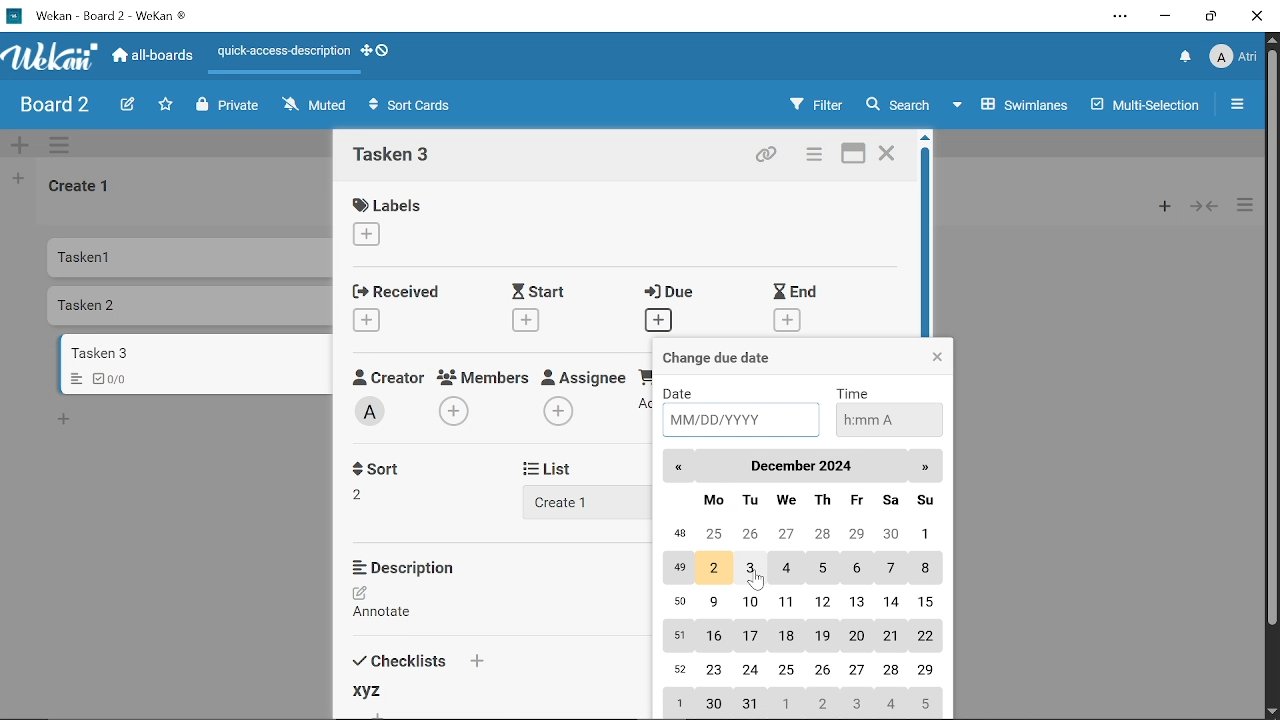 This screenshot has height=720, width=1280. Describe the element at coordinates (1243, 106) in the screenshot. I see `Open /close sidebar` at that location.